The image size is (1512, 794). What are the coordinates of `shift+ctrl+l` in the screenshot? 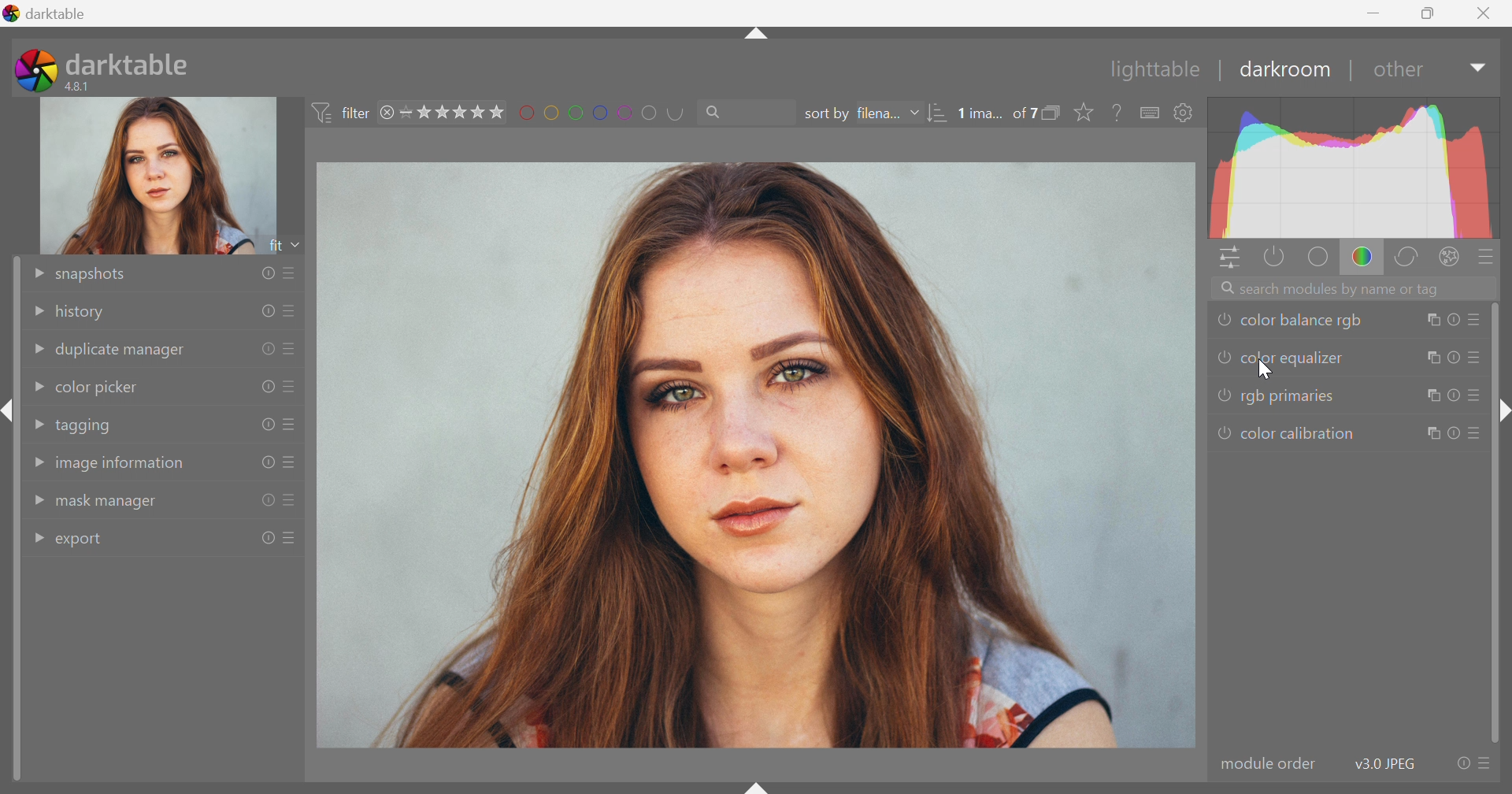 It's located at (9, 410).